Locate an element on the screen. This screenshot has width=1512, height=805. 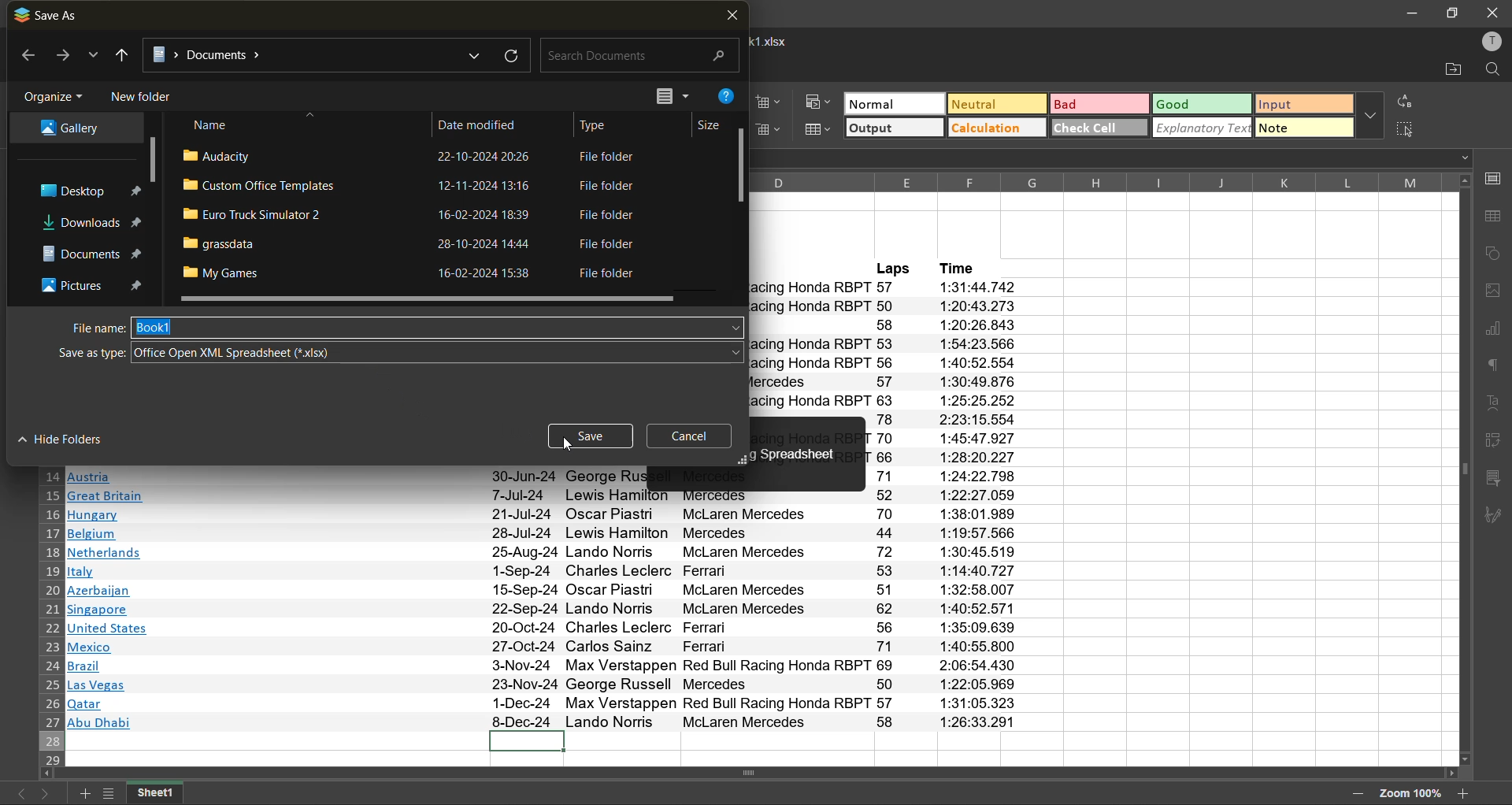
profile is located at coordinates (1494, 39).